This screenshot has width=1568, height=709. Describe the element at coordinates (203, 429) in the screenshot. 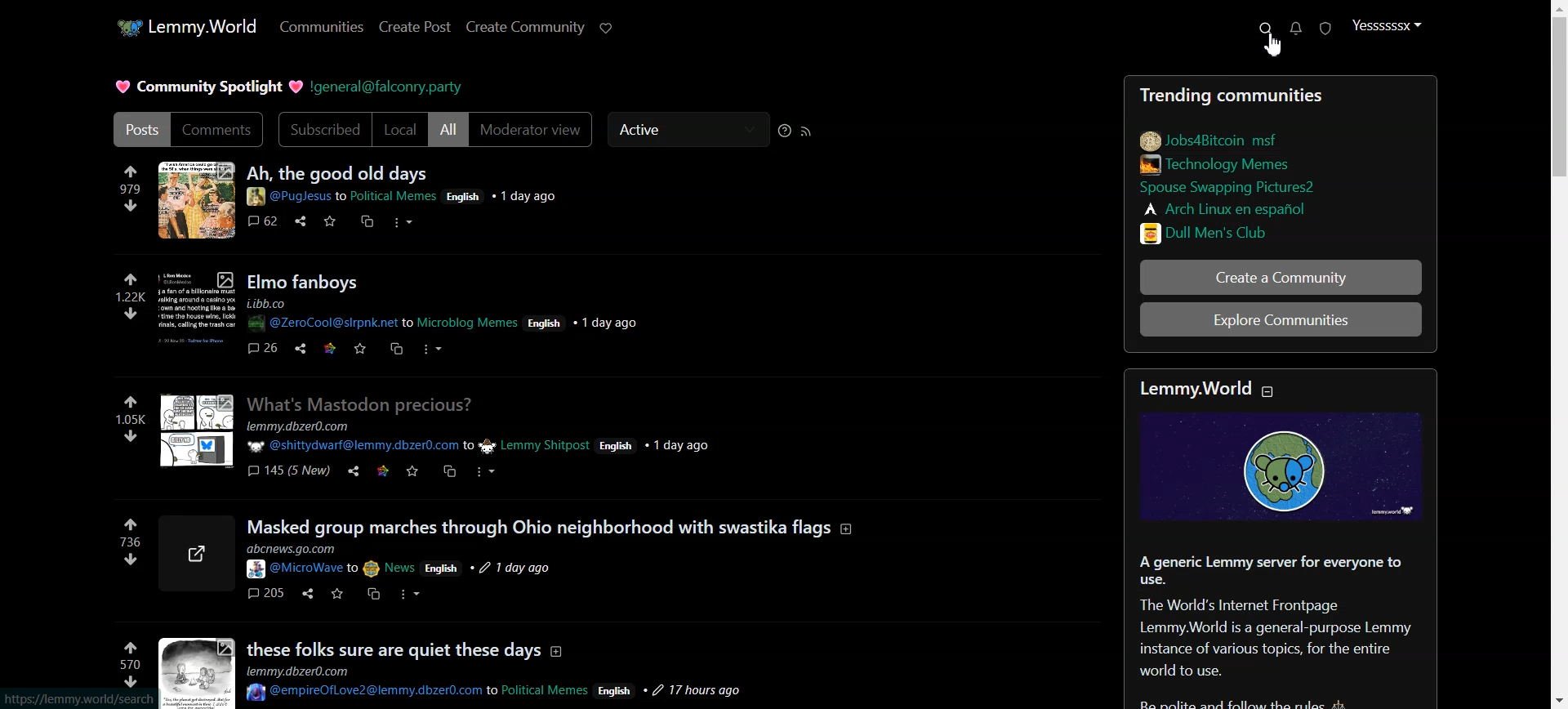

I see `link` at that location.